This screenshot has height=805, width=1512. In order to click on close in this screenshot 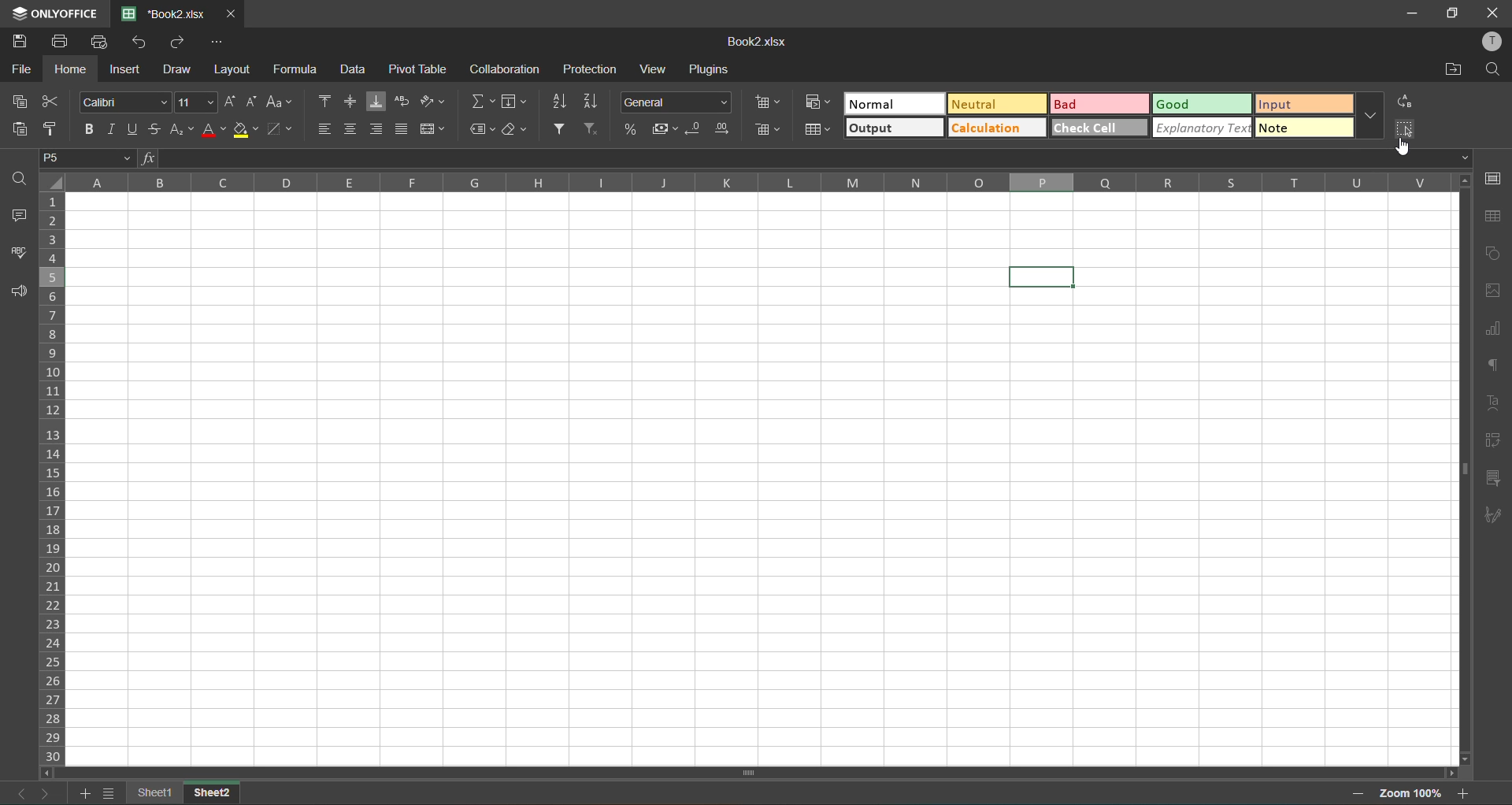, I will do `click(1494, 12)`.